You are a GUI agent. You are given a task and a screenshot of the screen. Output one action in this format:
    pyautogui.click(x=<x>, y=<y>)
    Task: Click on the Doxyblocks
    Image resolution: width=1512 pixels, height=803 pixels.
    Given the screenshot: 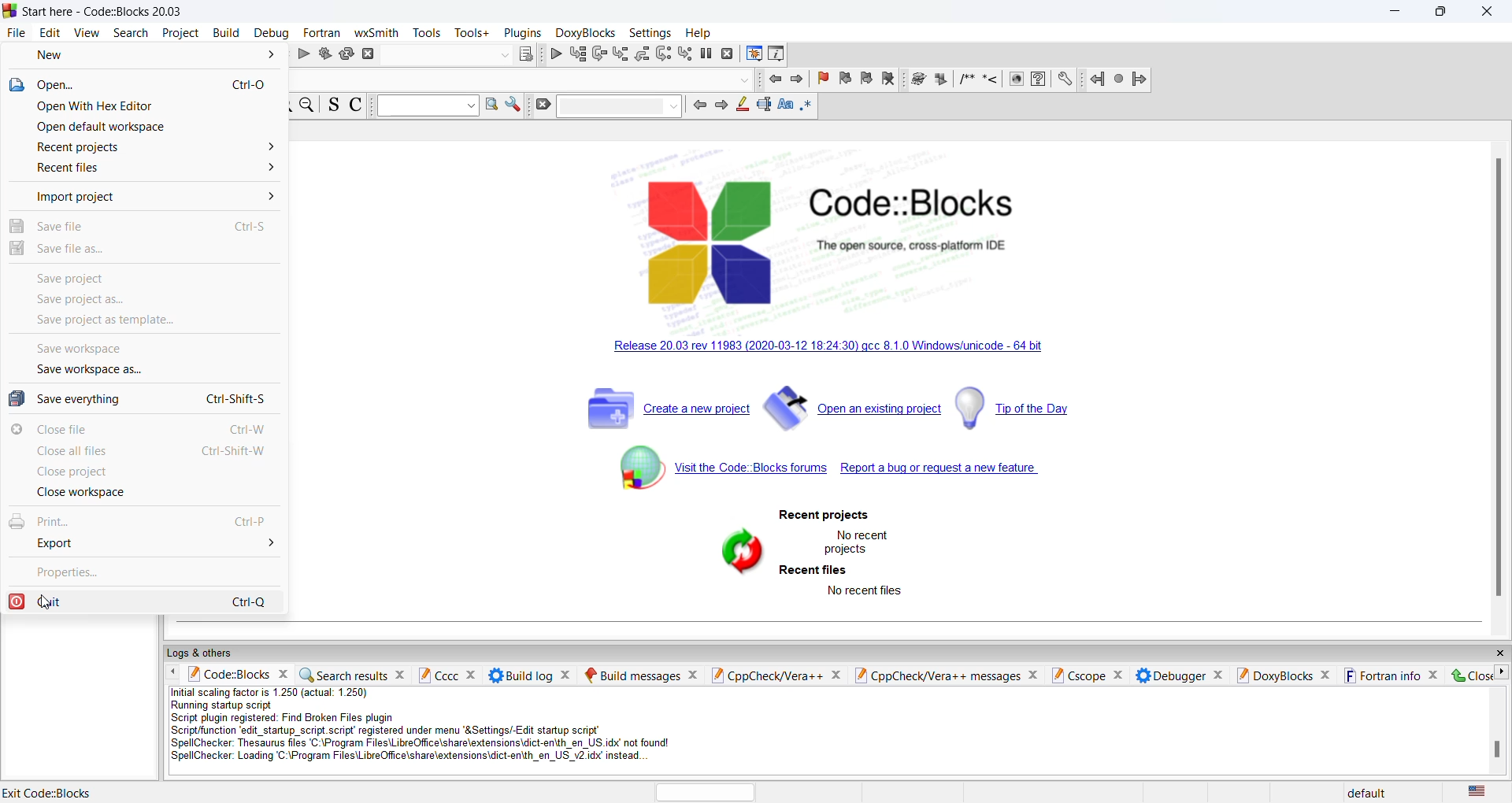 What is the action you would take?
    pyautogui.click(x=584, y=32)
    